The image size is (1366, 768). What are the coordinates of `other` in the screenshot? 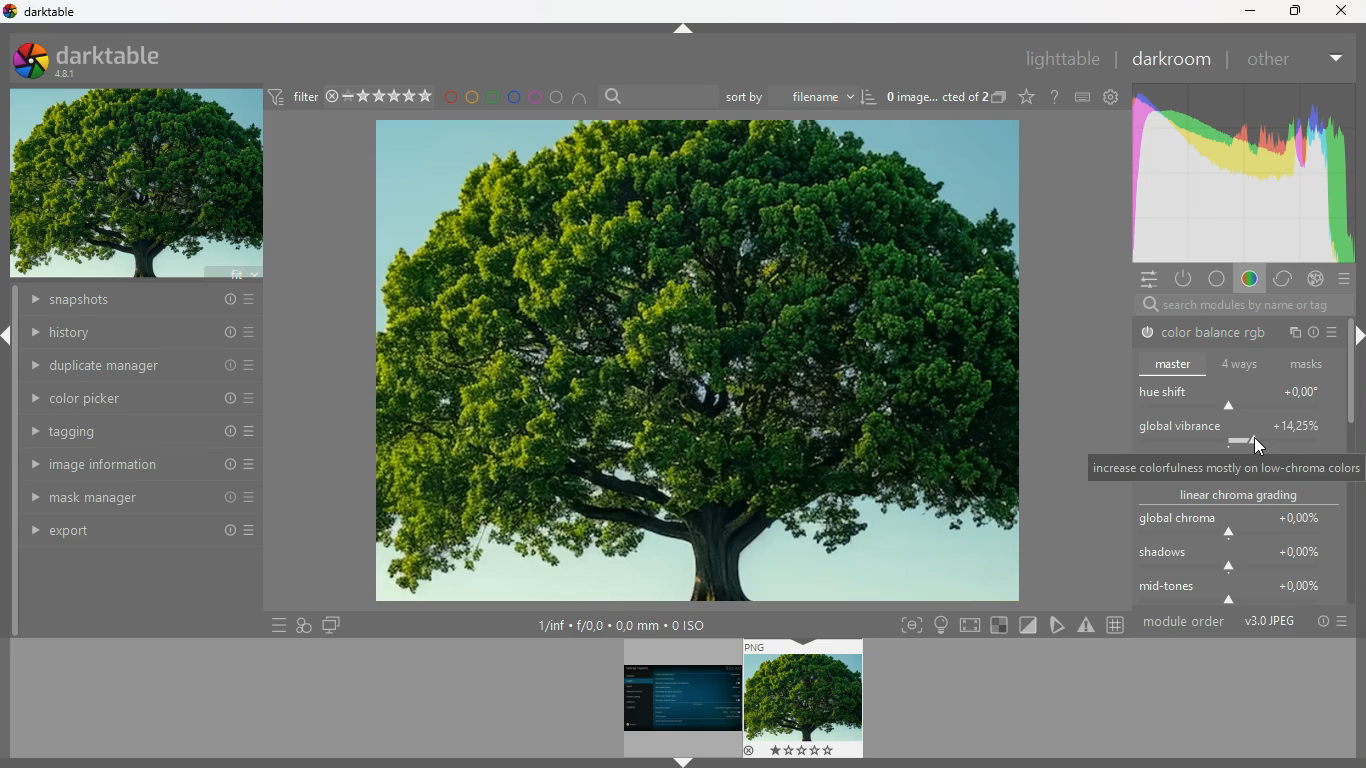 It's located at (1267, 60).